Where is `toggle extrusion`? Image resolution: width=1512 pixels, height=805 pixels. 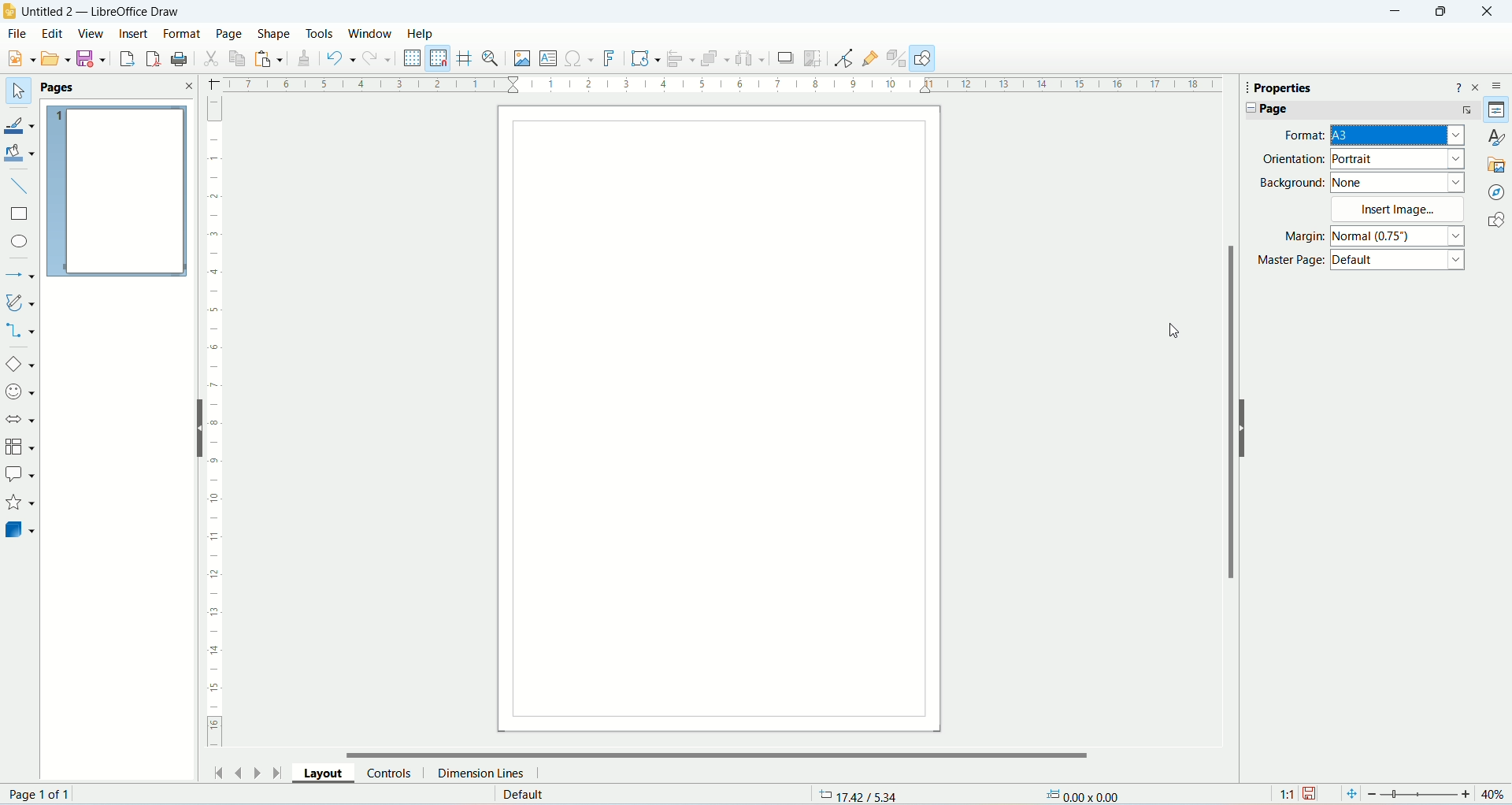 toggle extrusion is located at coordinates (897, 60).